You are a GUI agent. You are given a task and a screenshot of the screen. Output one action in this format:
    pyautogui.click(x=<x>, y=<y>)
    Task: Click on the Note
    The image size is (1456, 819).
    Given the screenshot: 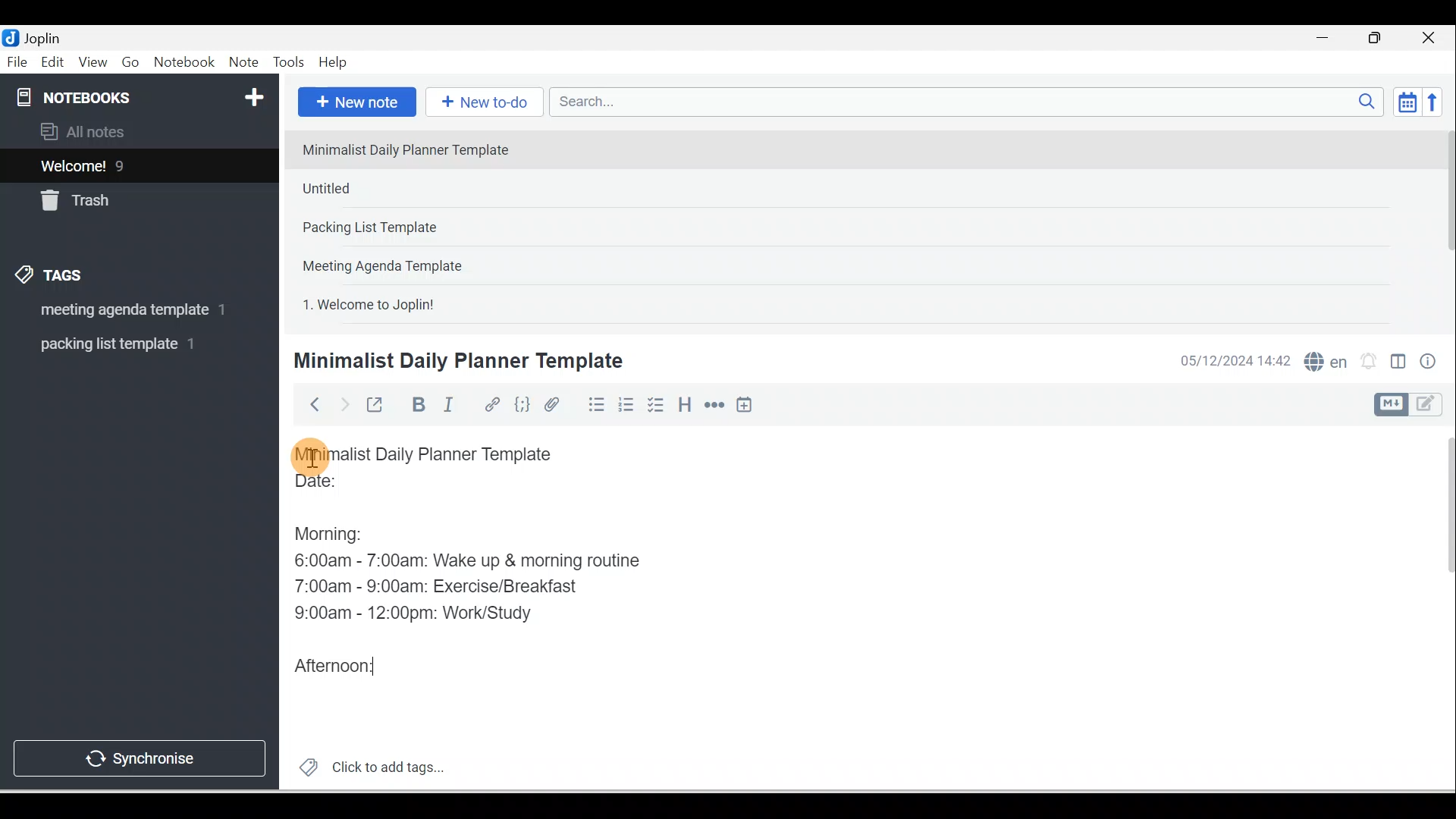 What is the action you would take?
    pyautogui.click(x=242, y=63)
    